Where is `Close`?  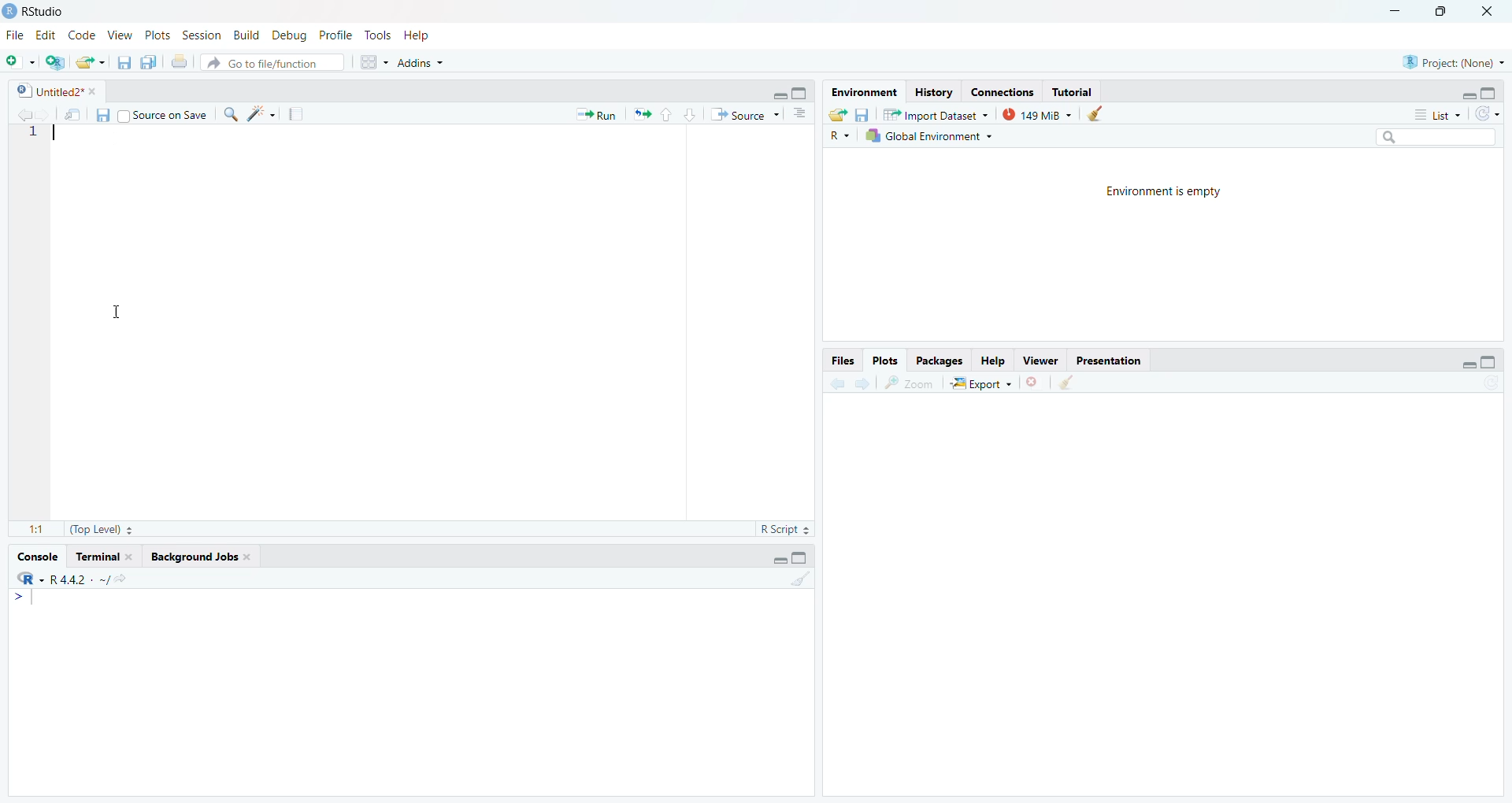
Close is located at coordinates (1492, 9).